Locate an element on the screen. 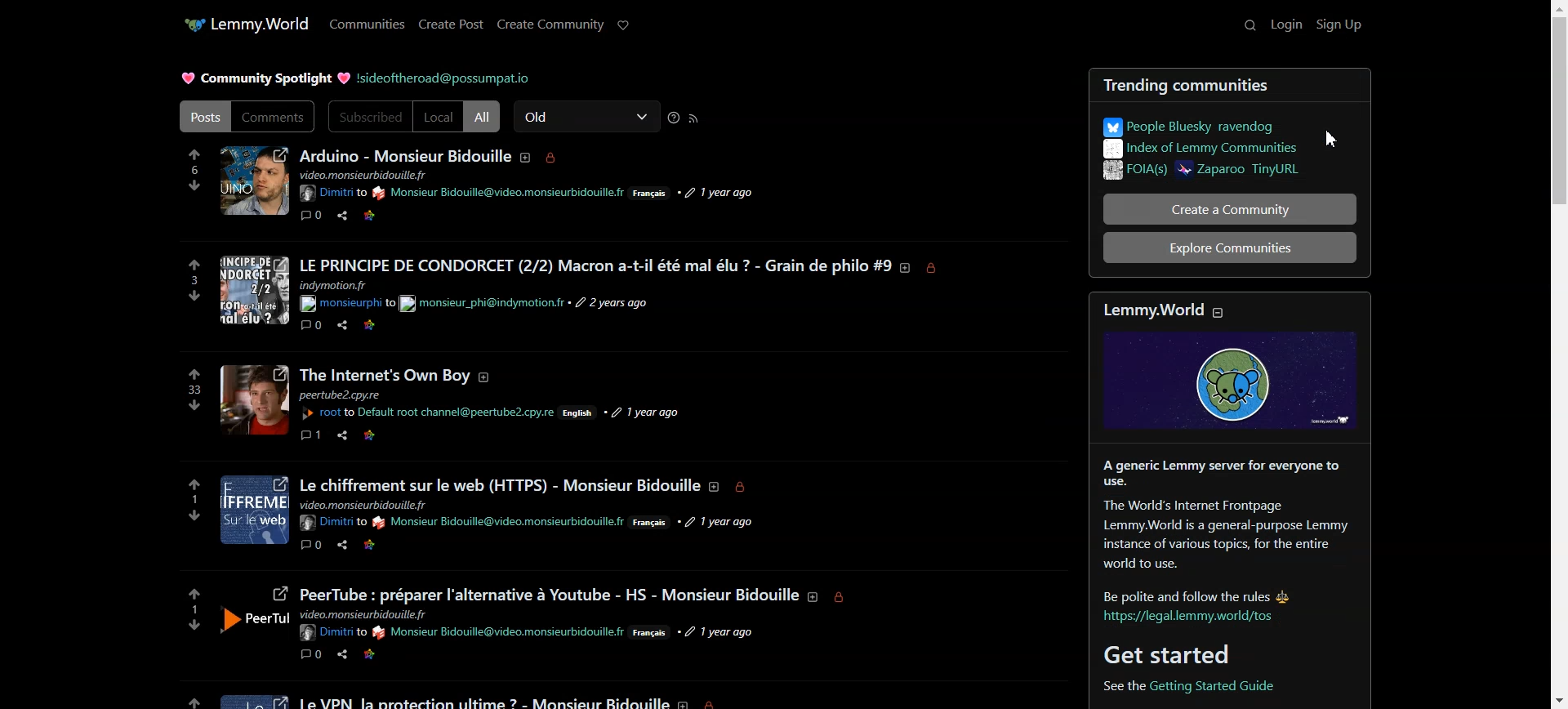 The height and width of the screenshot is (709, 1568). text is located at coordinates (341, 285).